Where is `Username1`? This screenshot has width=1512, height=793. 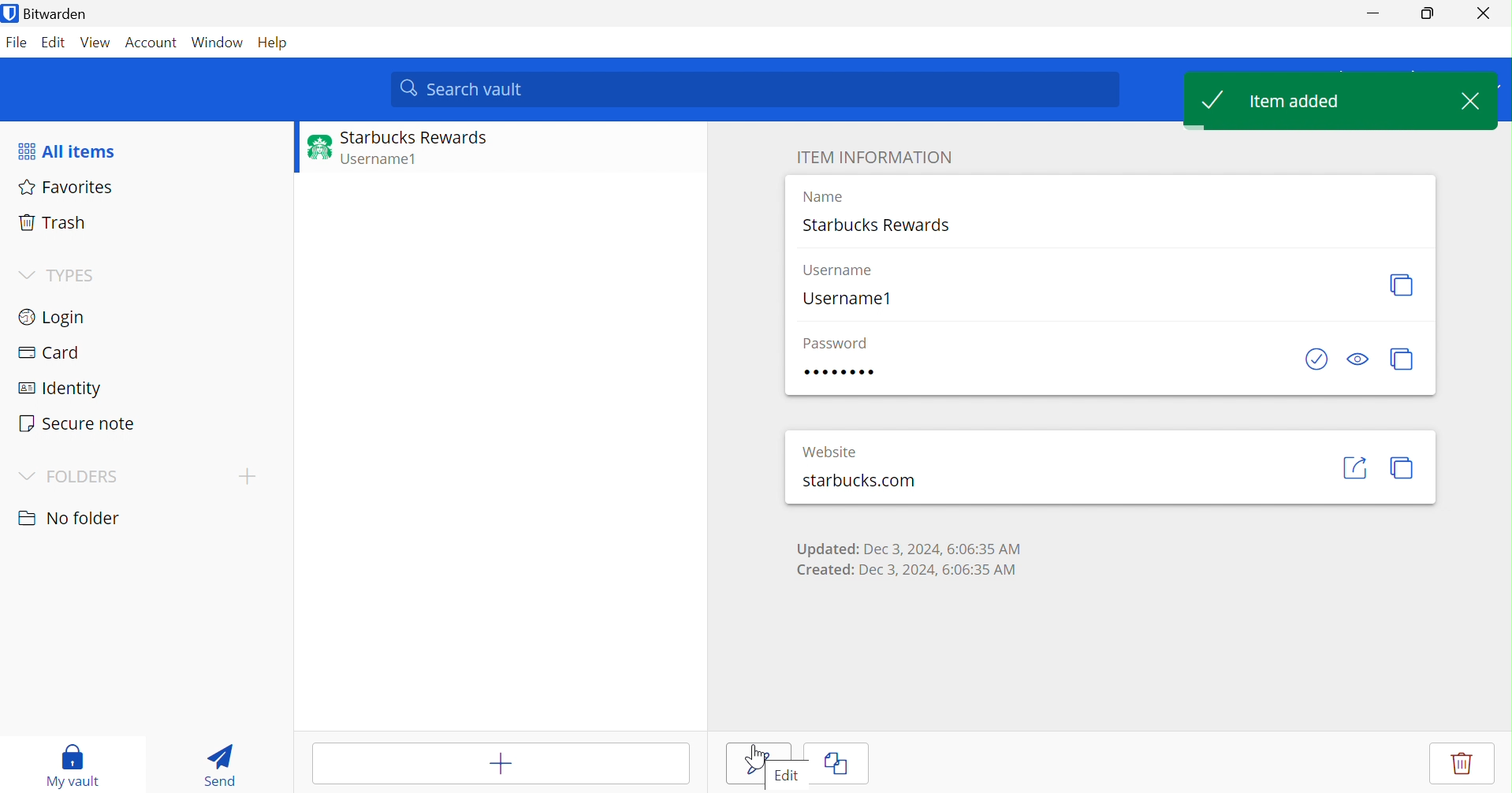 Username1 is located at coordinates (849, 300).